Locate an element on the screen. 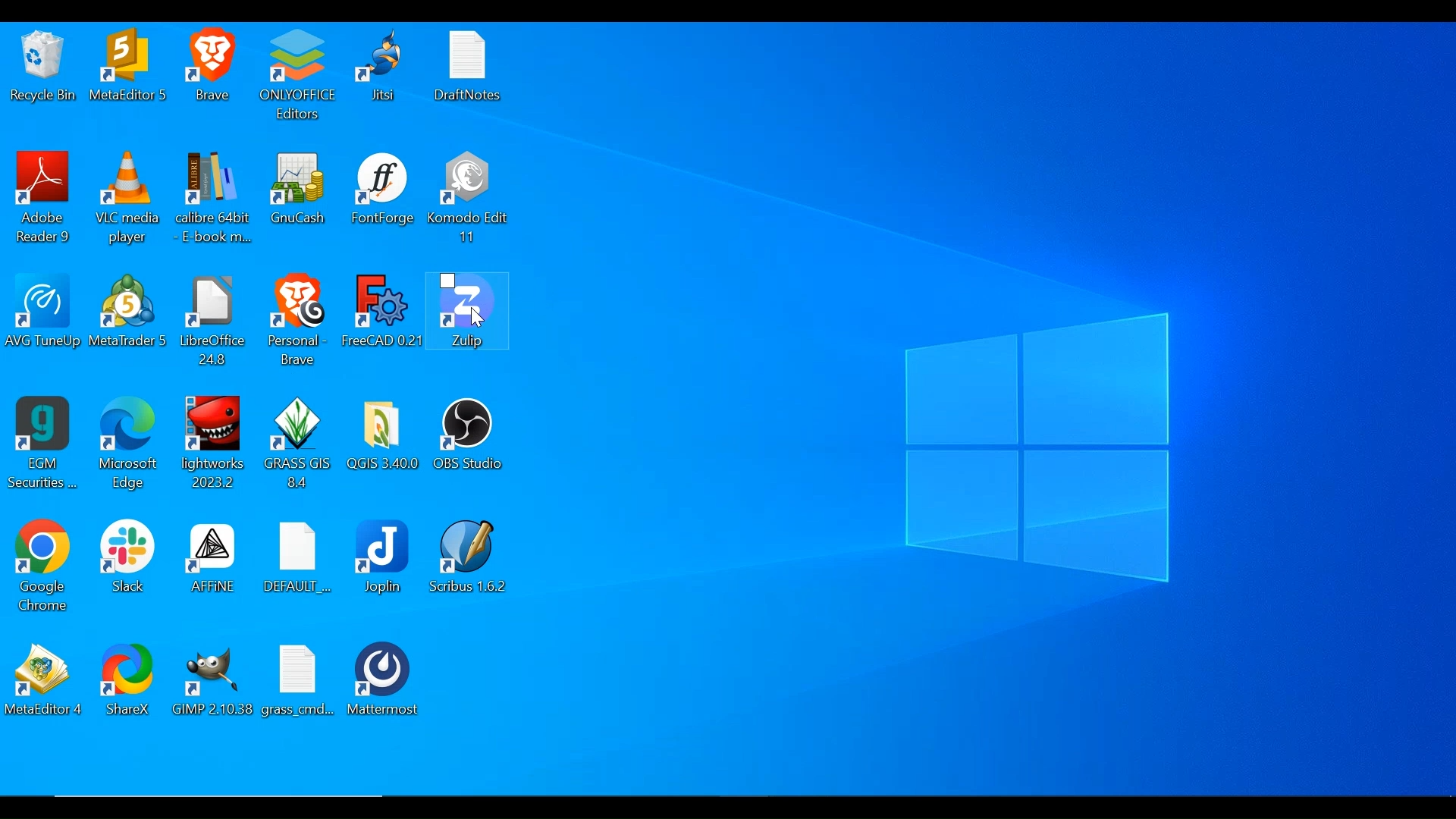  Brave Desktop icon is located at coordinates (298, 319).